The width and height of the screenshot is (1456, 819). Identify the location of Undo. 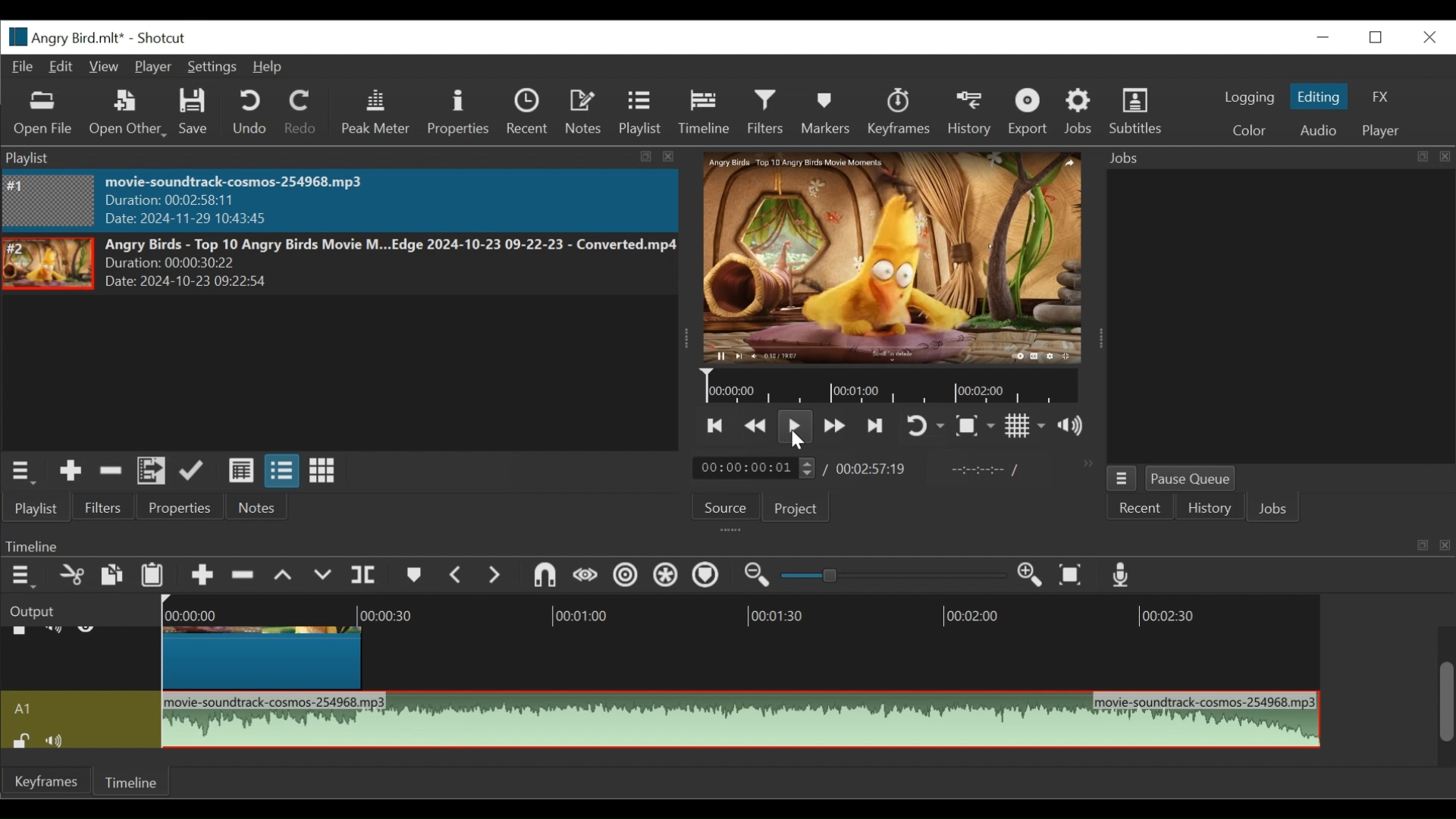
(251, 112).